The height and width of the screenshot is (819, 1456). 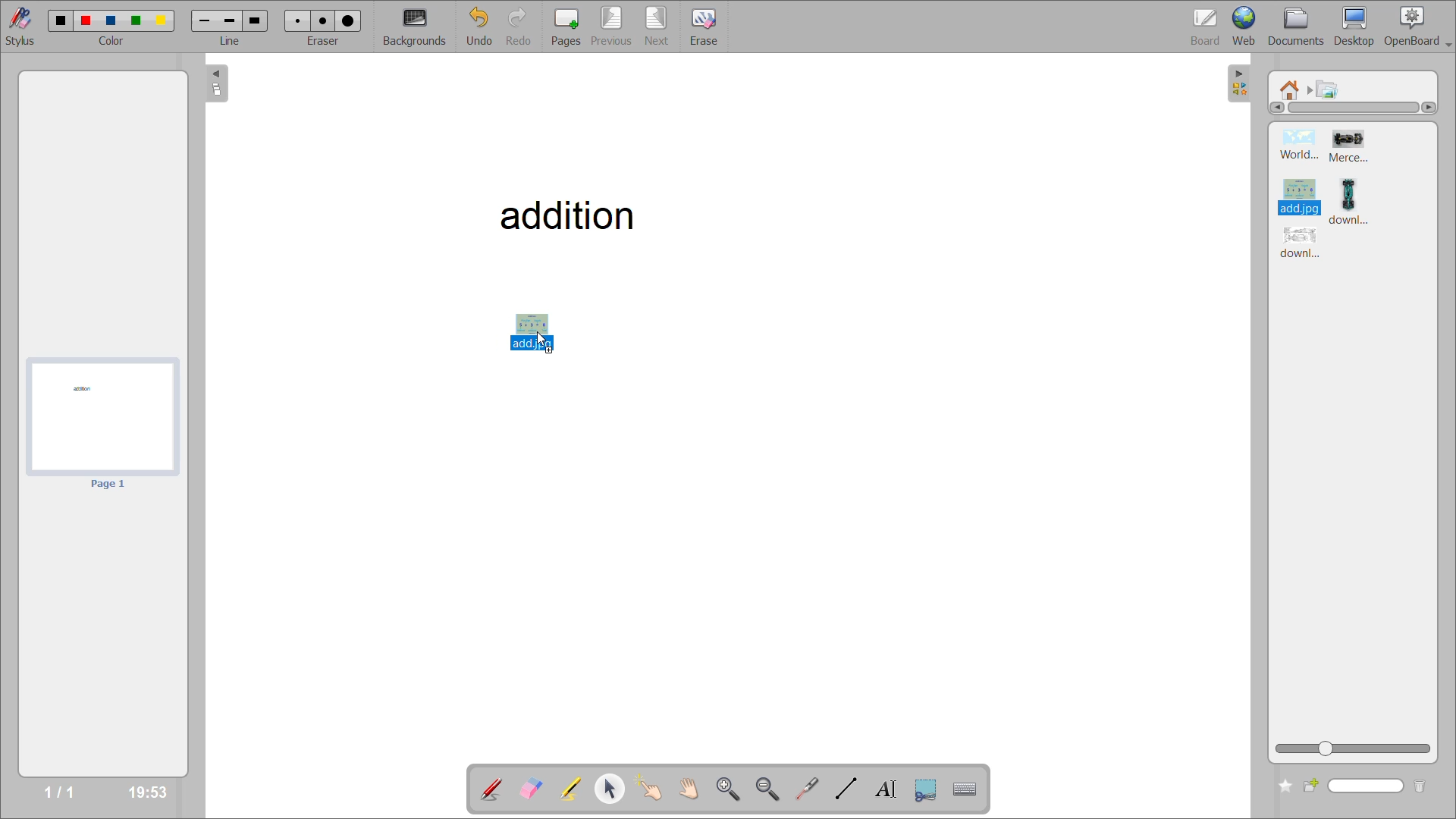 What do you see at coordinates (1300, 146) in the screenshot?
I see `image 1` at bounding box center [1300, 146].